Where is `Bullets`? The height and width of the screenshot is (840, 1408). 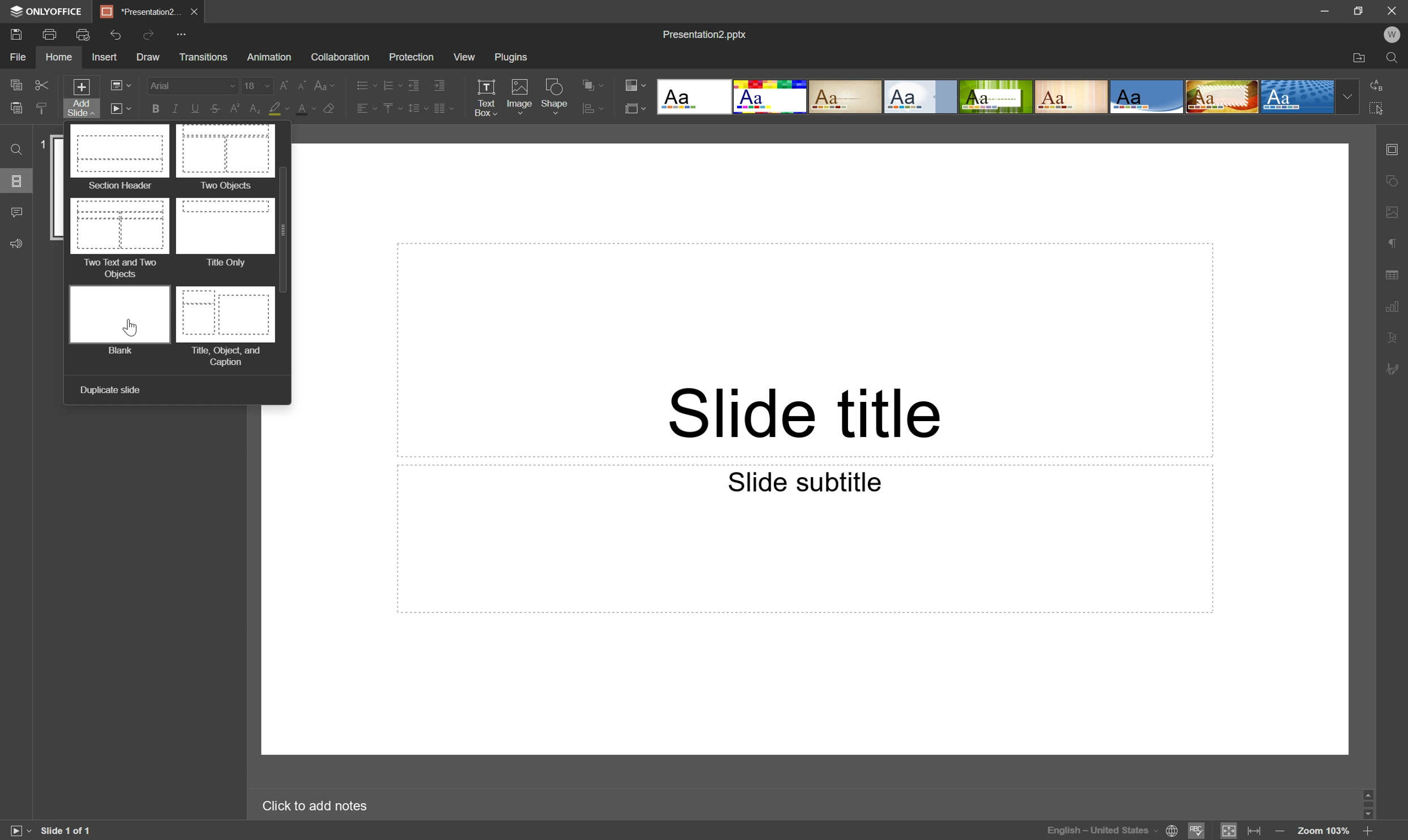 Bullets is located at coordinates (363, 83).